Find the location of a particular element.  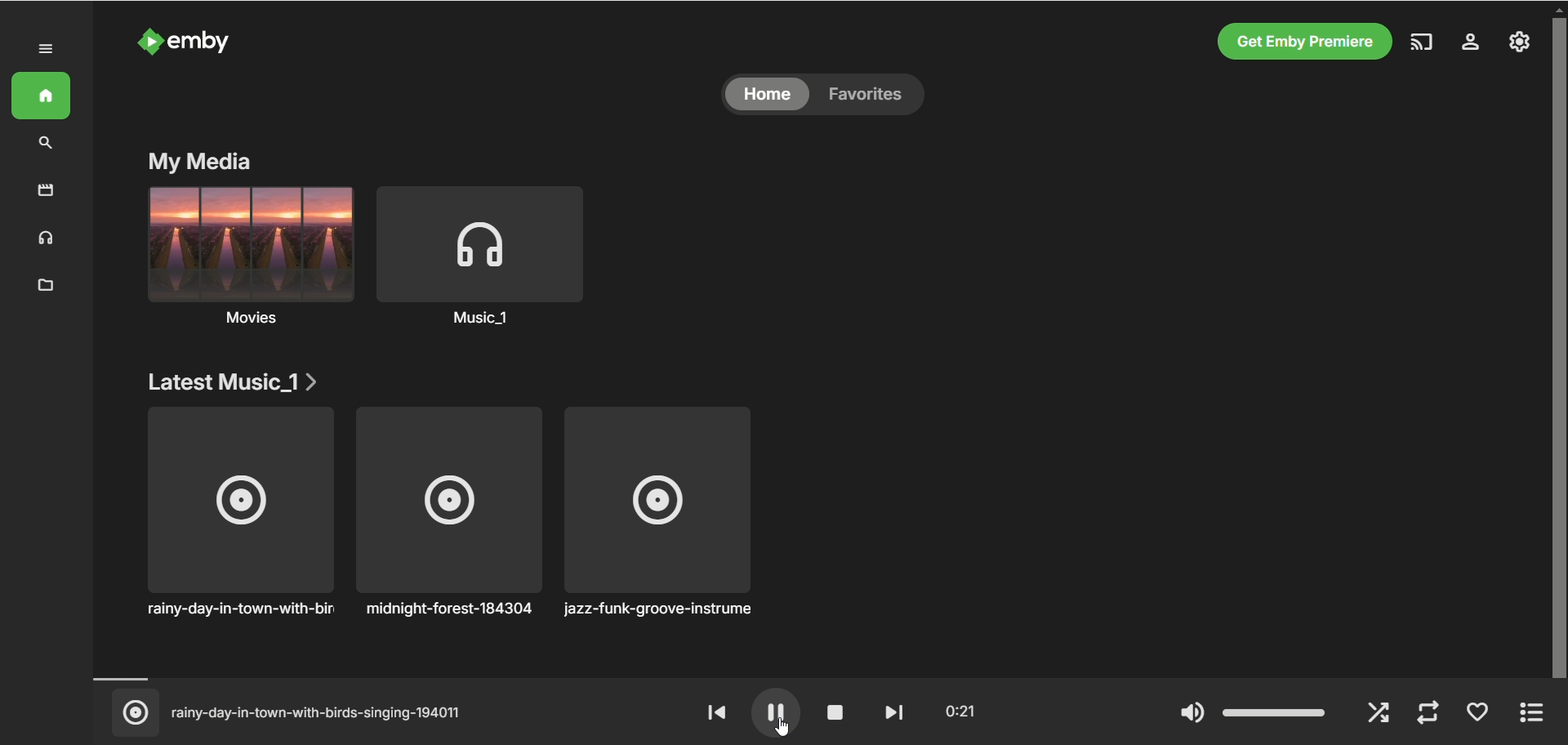

my media is located at coordinates (194, 163).